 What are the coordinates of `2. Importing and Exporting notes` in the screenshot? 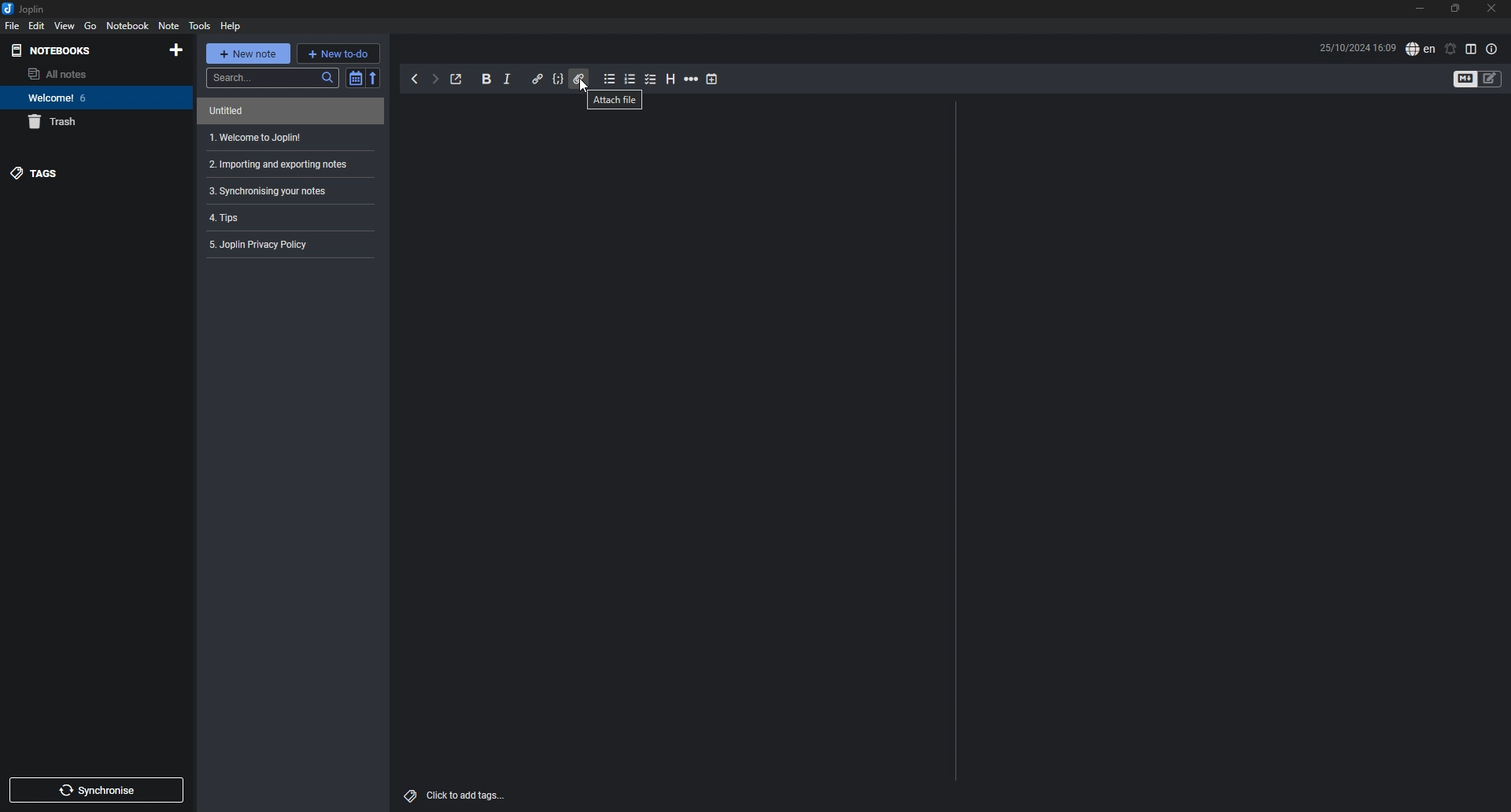 It's located at (289, 164).